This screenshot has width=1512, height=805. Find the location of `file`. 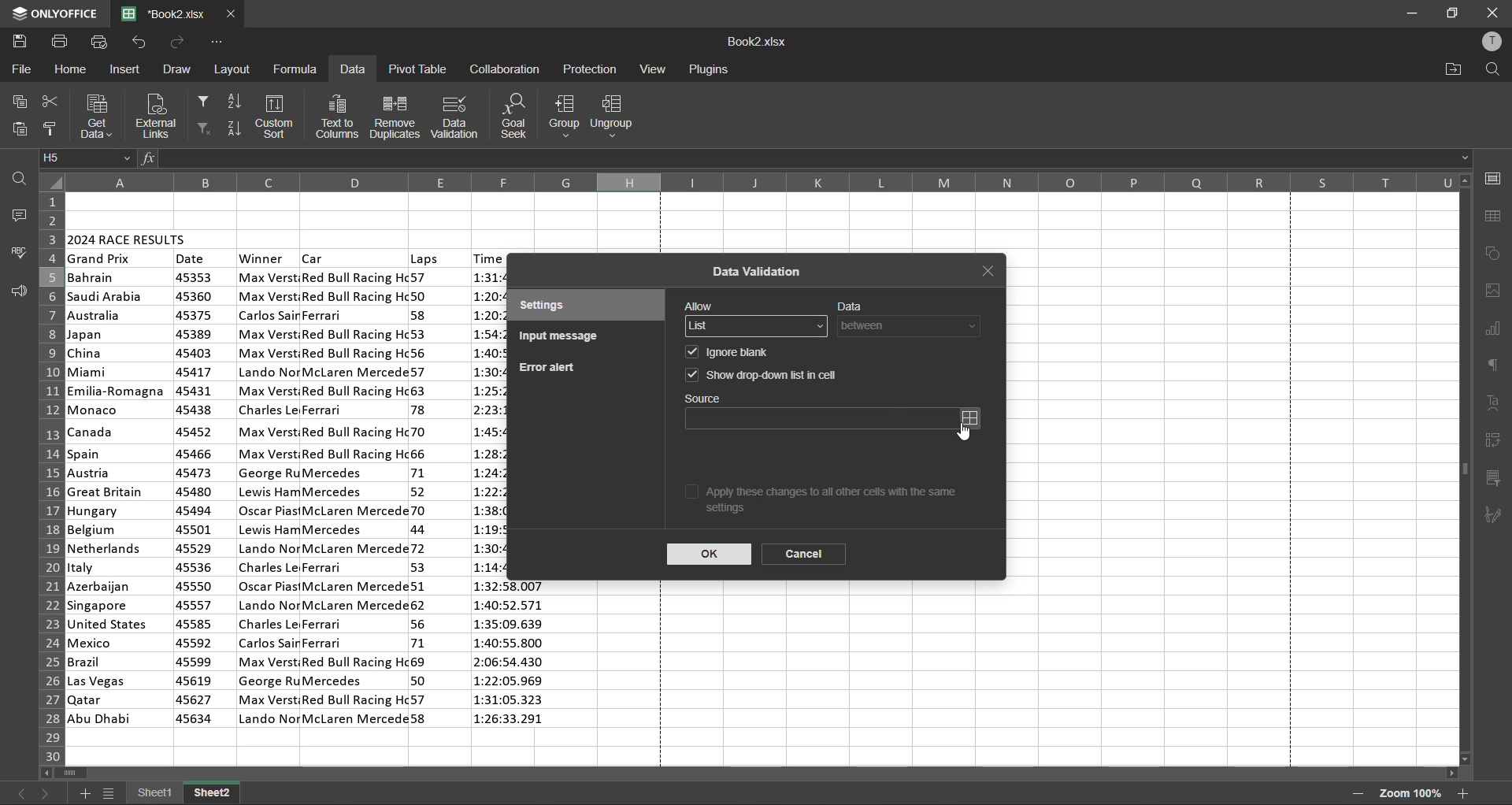

file is located at coordinates (19, 69).